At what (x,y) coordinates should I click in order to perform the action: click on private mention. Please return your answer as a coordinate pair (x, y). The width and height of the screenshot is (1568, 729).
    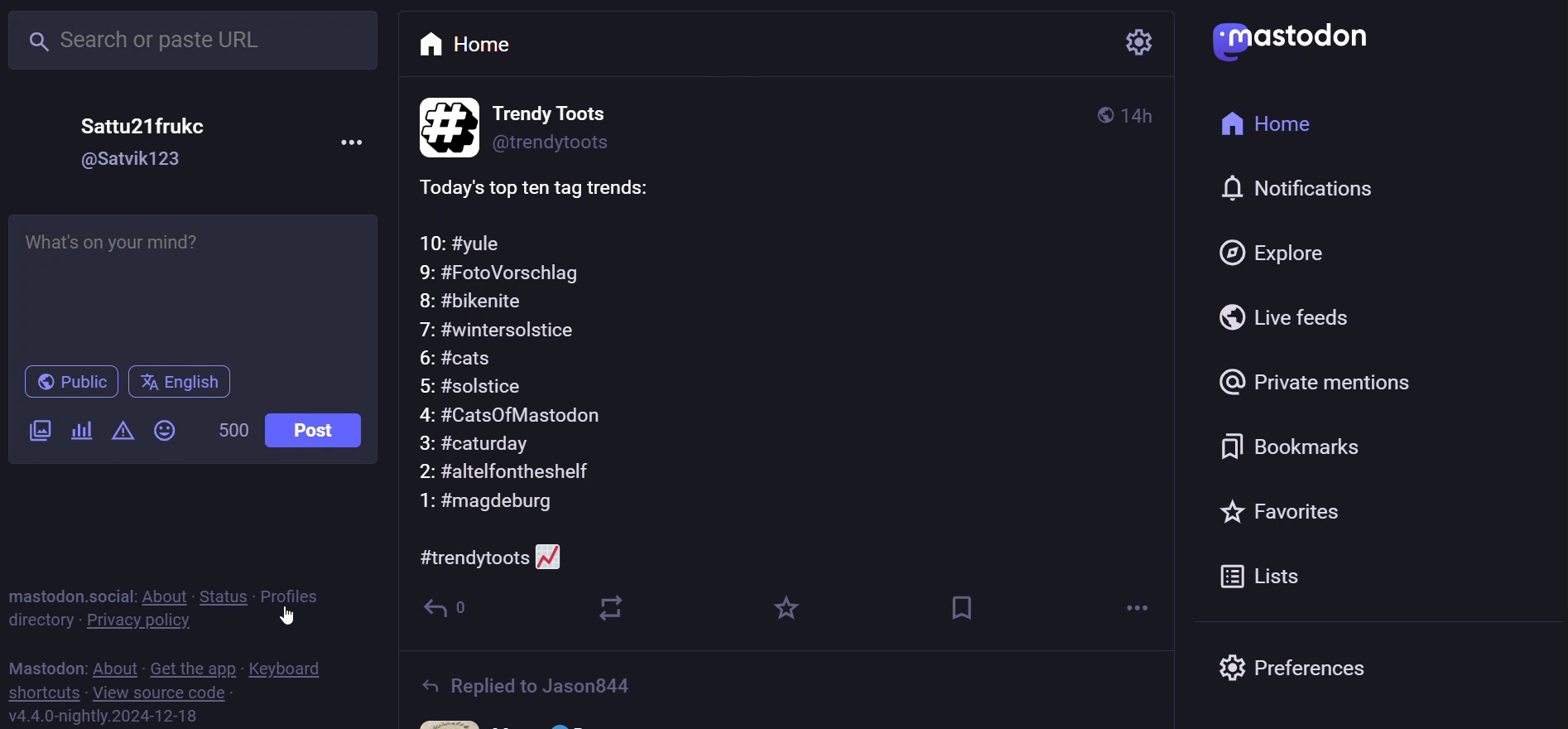
    Looking at the image, I should click on (1321, 384).